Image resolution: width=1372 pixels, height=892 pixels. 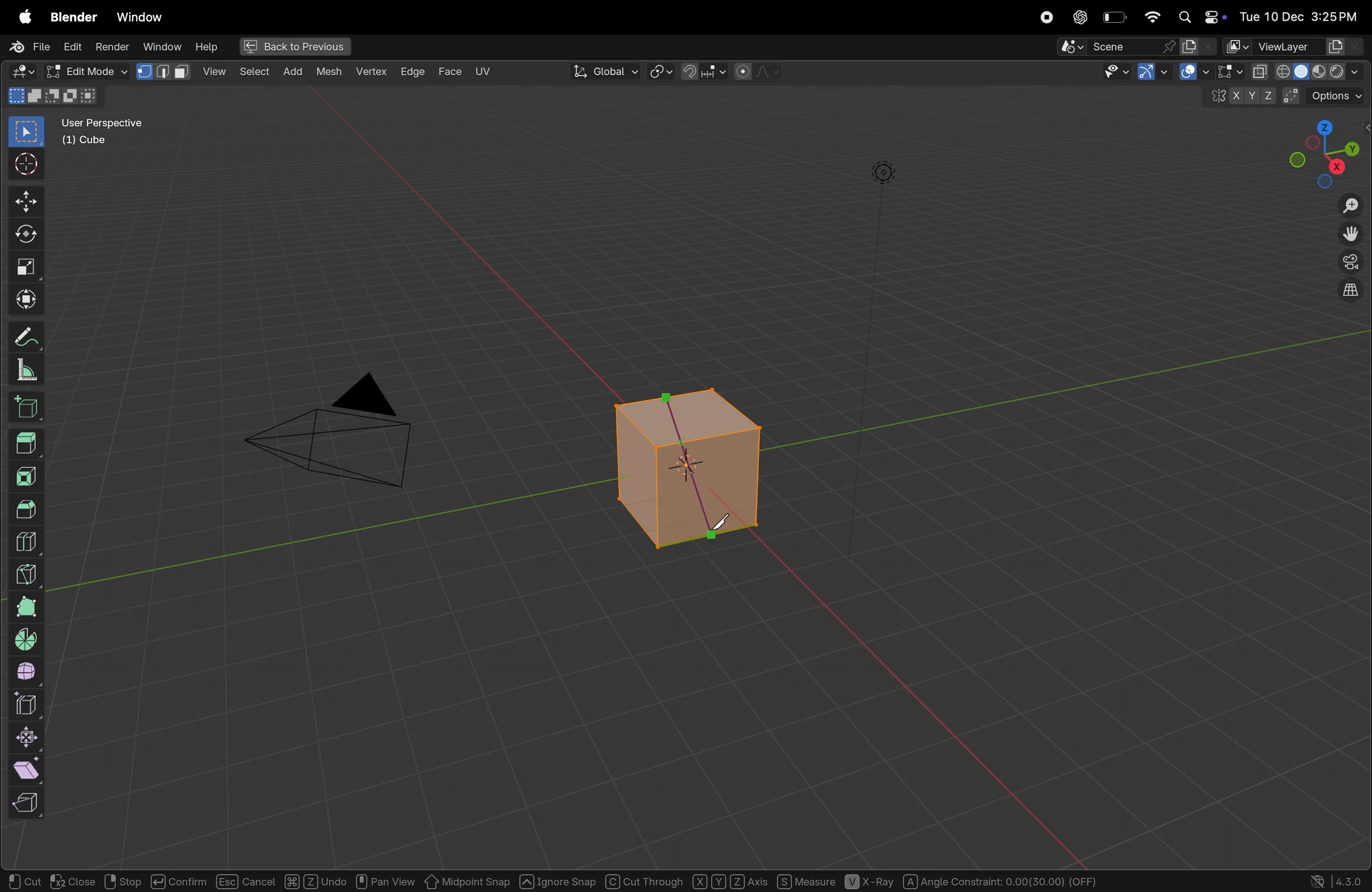 What do you see at coordinates (1114, 18) in the screenshot?
I see `battery` at bounding box center [1114, 18].